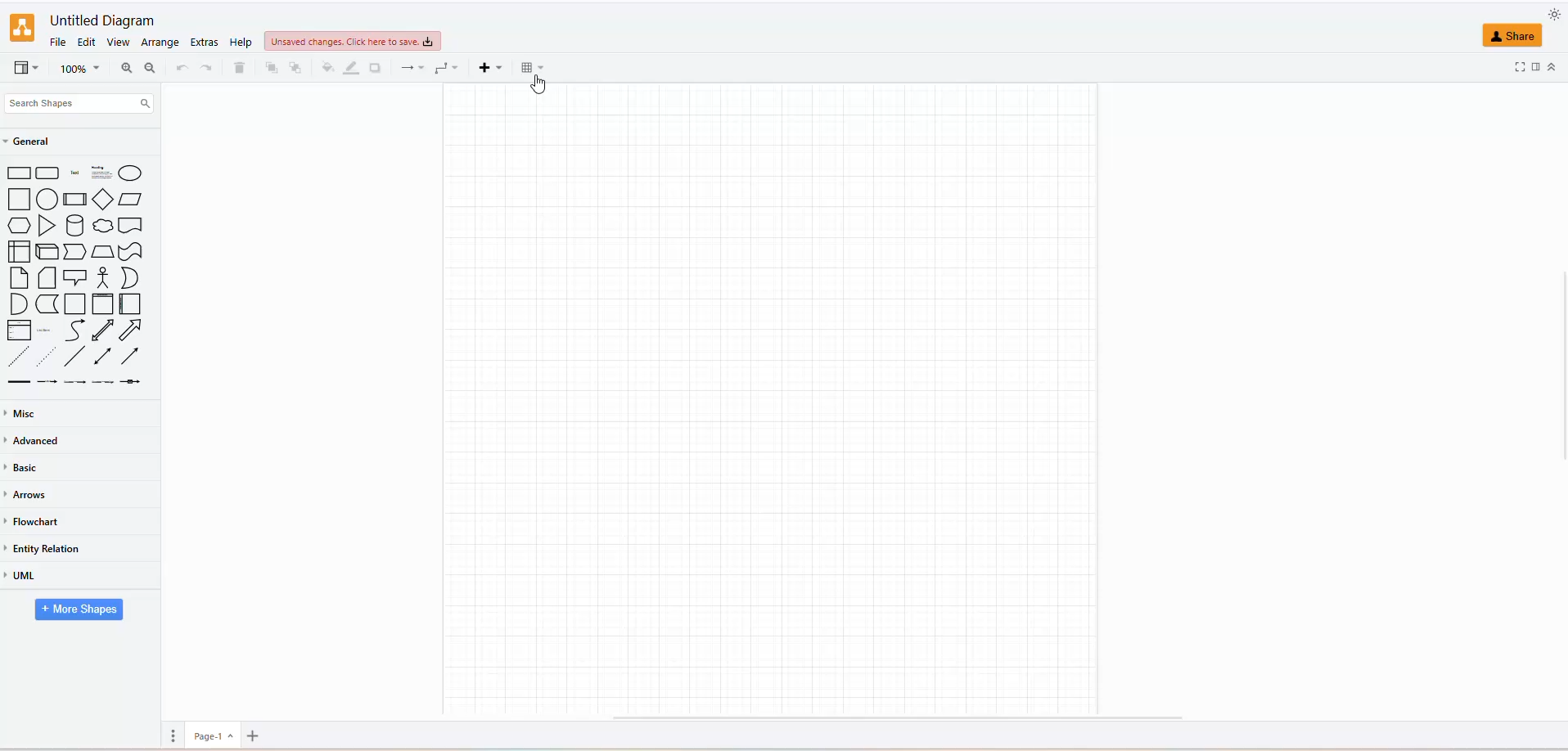 The height and width of the screenshot is (751, 1568). What do you see at coordinates (73, 615) in the screenshot?
I see `more shapes` at bounding box center [73, 615].